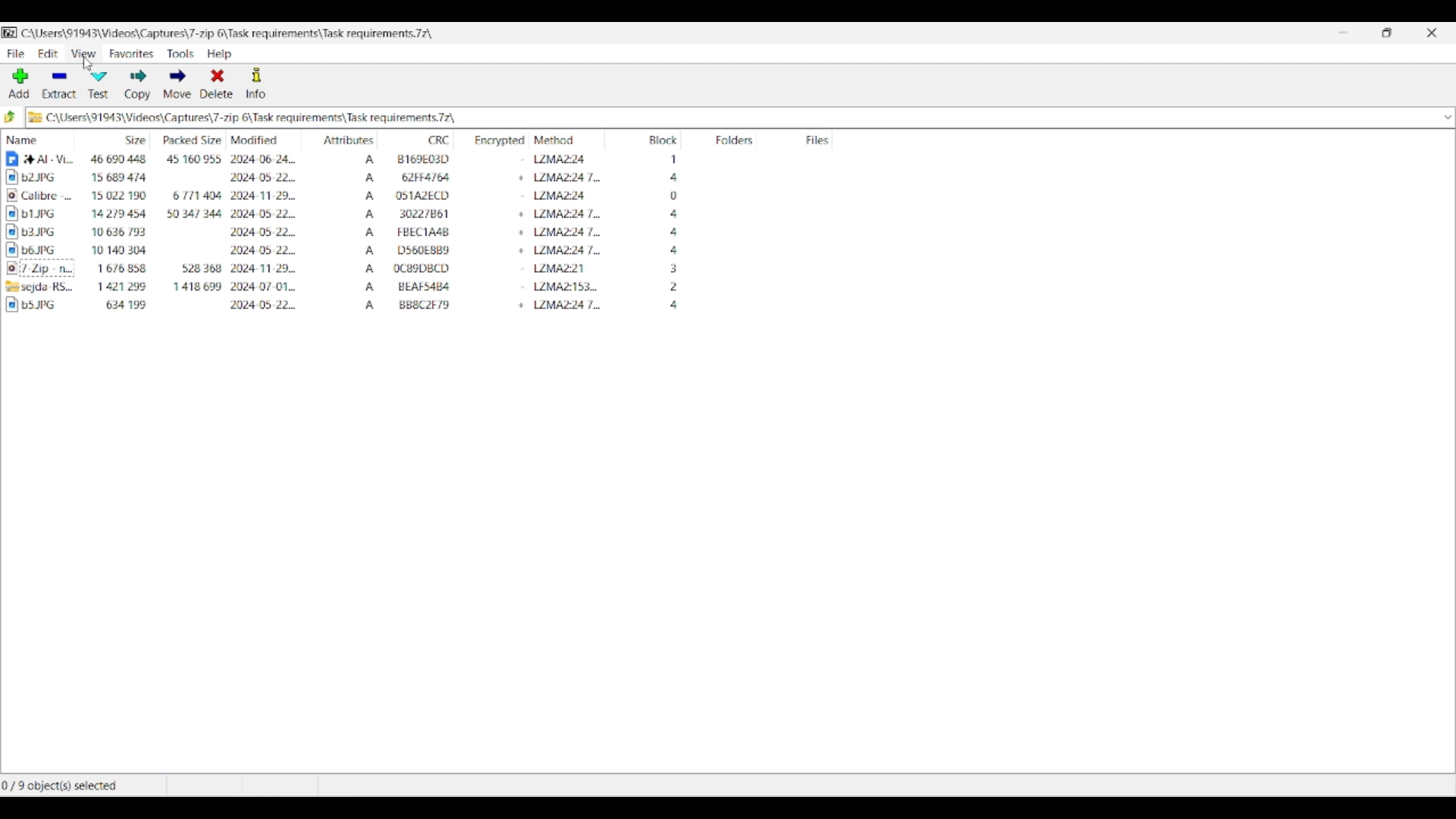 The height and width of the screenshot is (819, 1456). What do you see at coordinates (417, 270) in the screenshot?
I see `file 7 and metadata` at bounding box center [417, 270].